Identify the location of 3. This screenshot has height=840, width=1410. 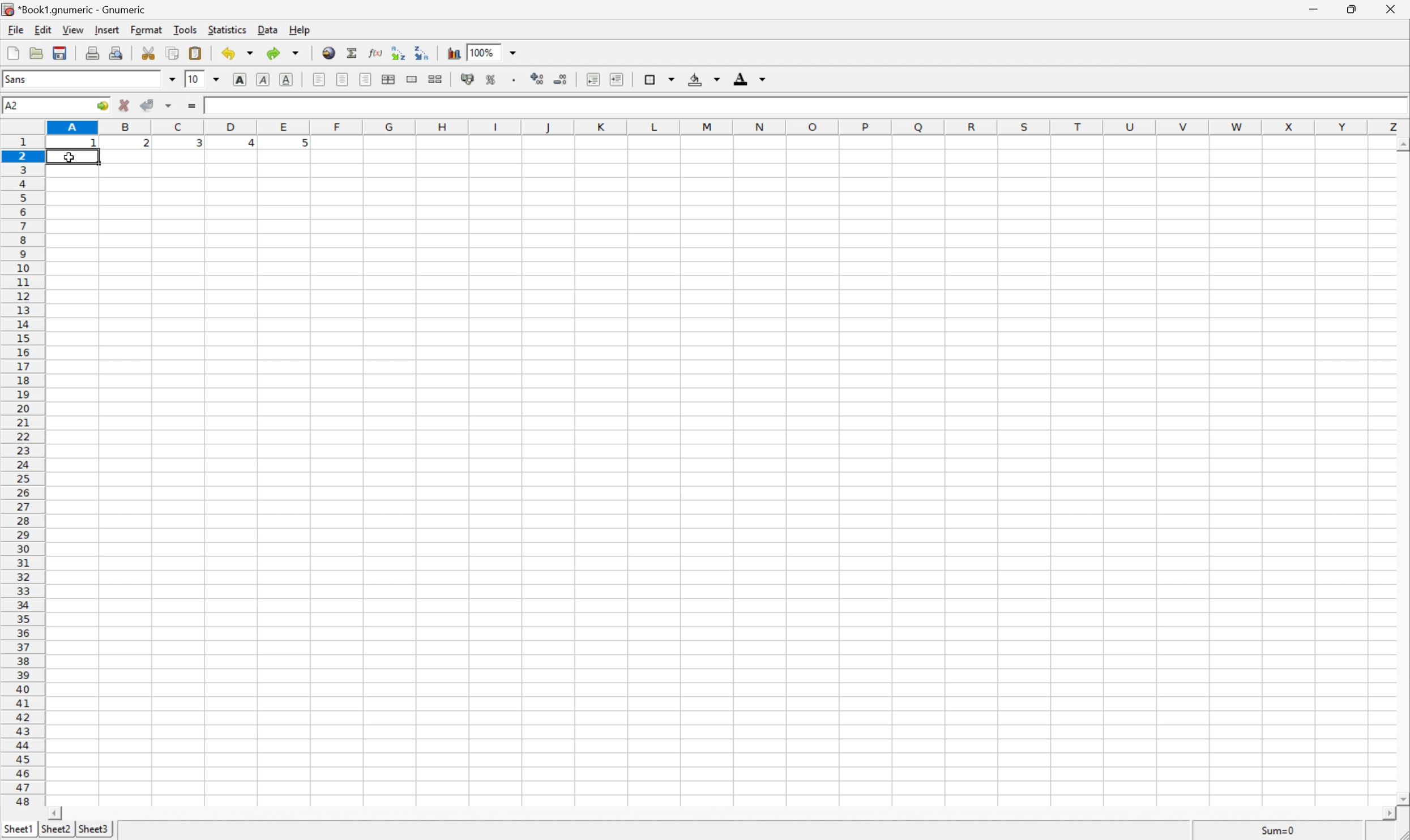
(198, 145).